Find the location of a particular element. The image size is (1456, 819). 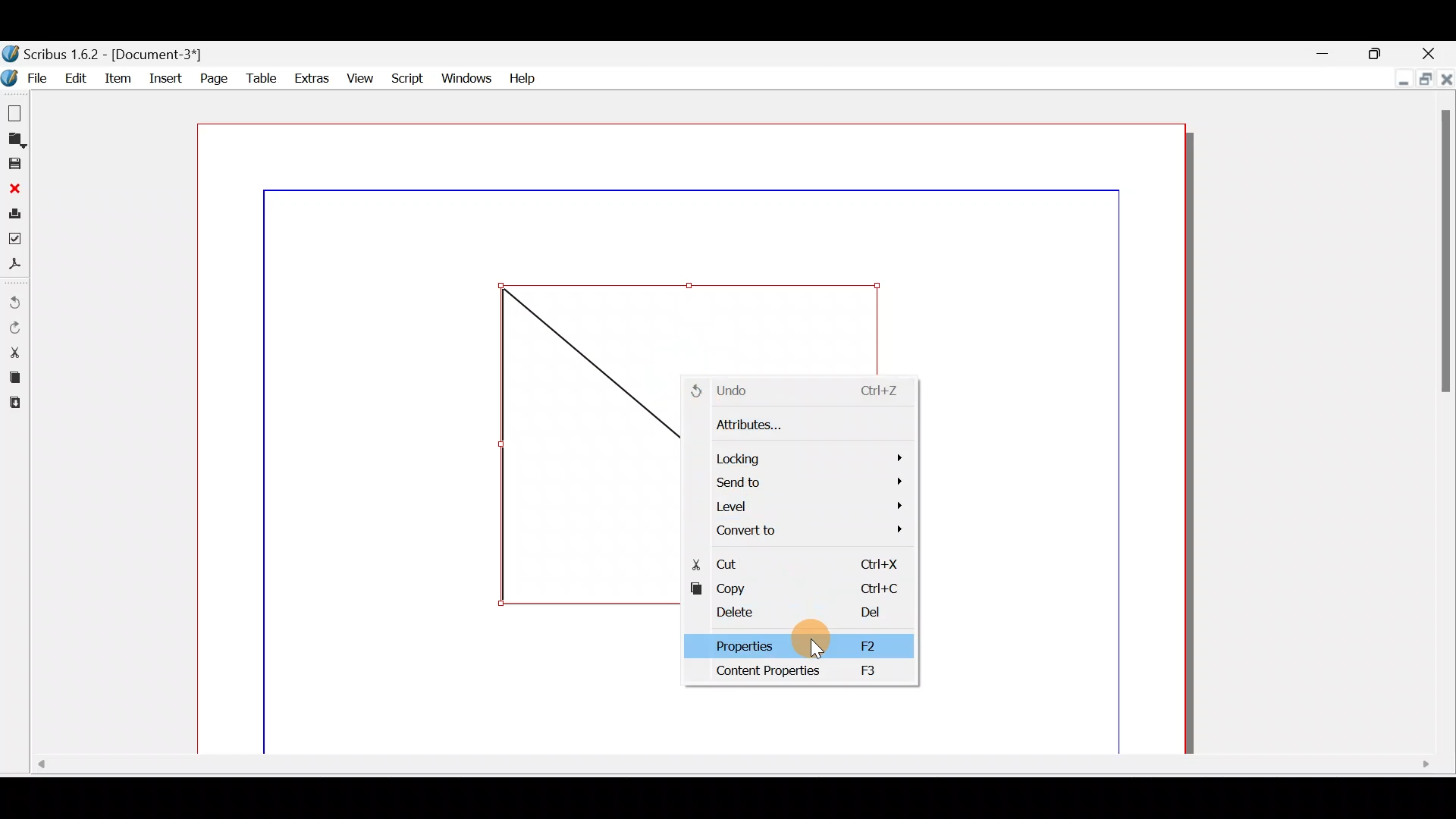

Insert is located at coordinates (165, 80).